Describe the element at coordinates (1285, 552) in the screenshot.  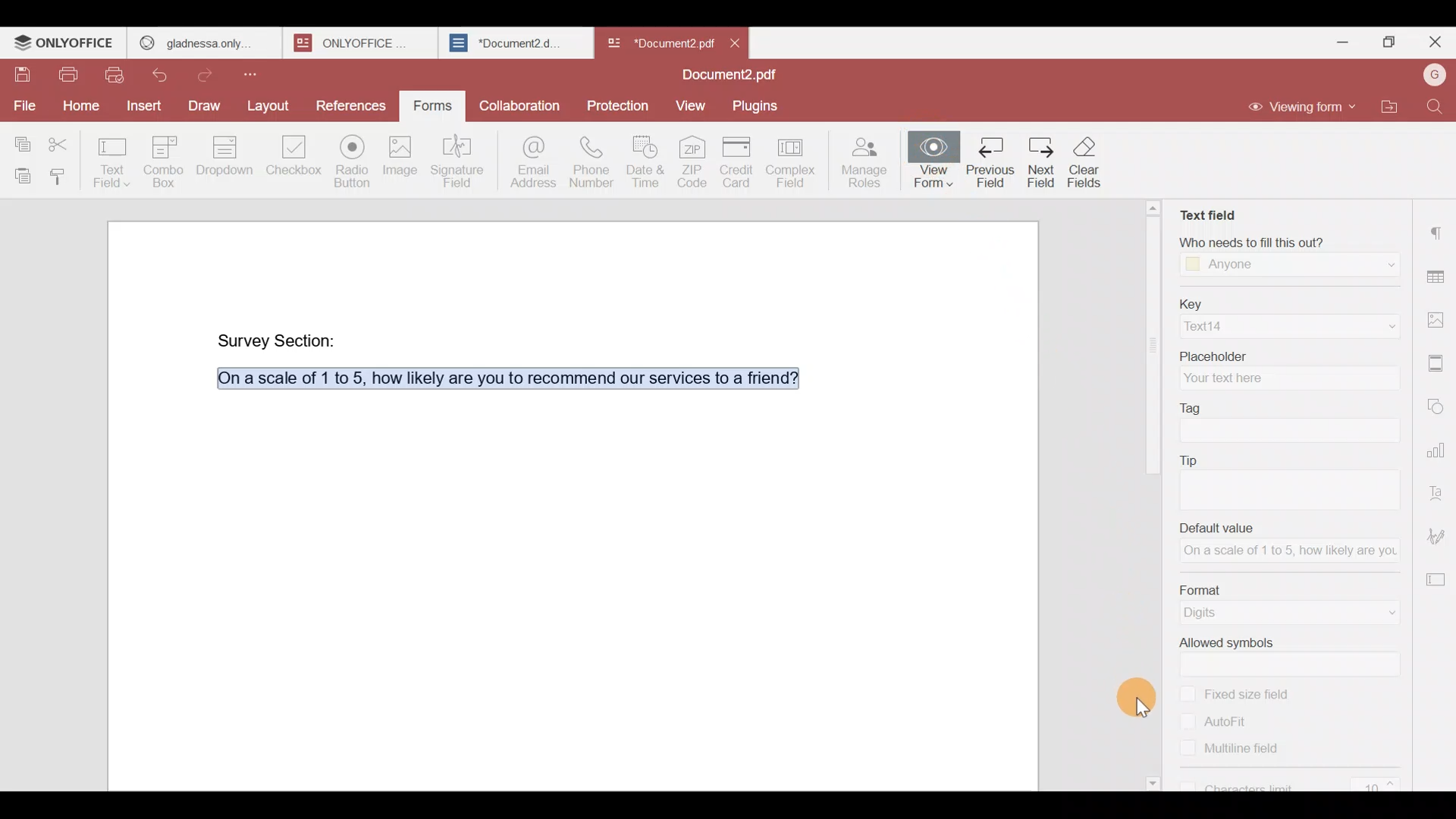
I see `on the scale of 1 to 5 how likely are you` at that location.